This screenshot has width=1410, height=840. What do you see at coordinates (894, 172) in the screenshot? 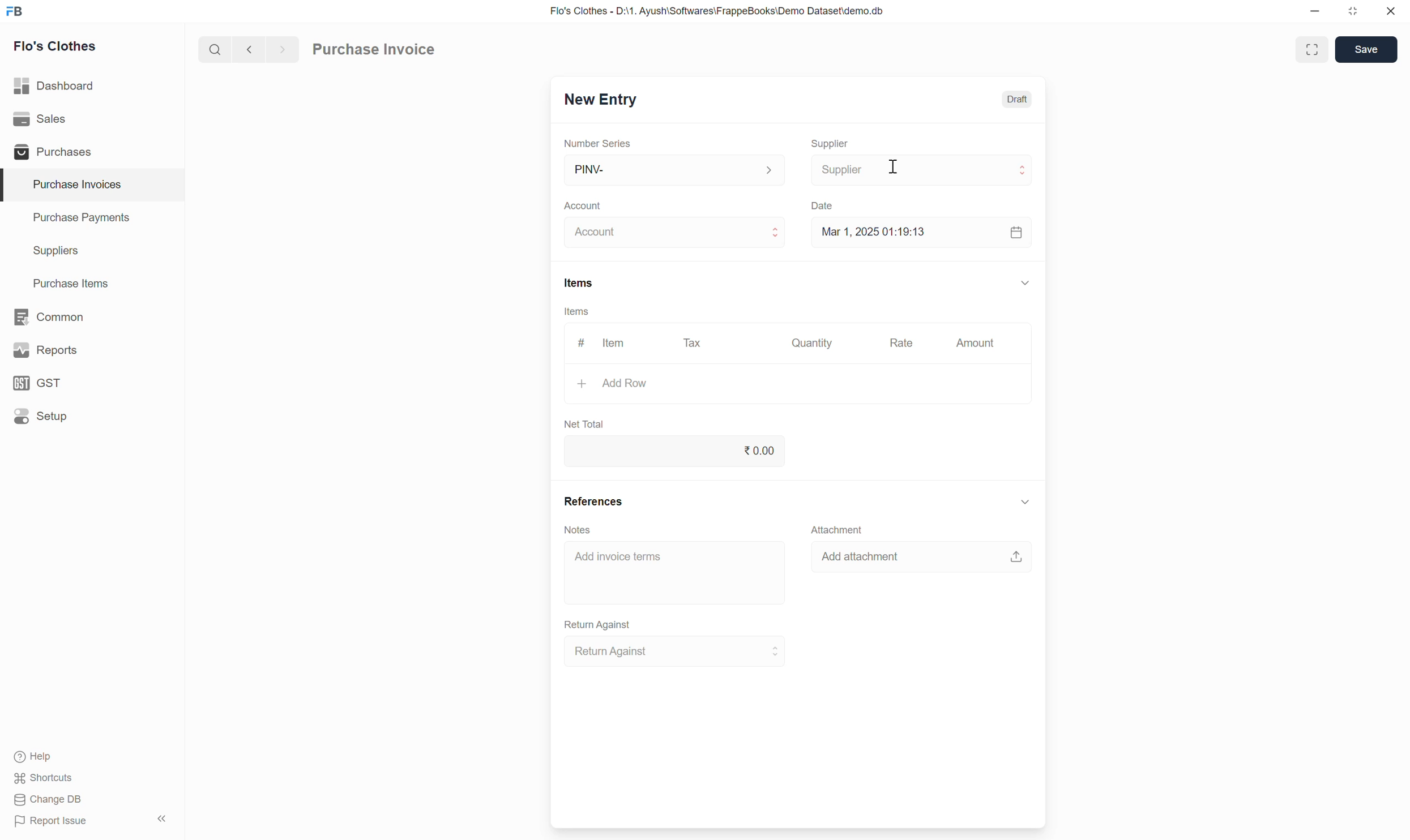
I see `cursor` at bounding box center [894, 172].